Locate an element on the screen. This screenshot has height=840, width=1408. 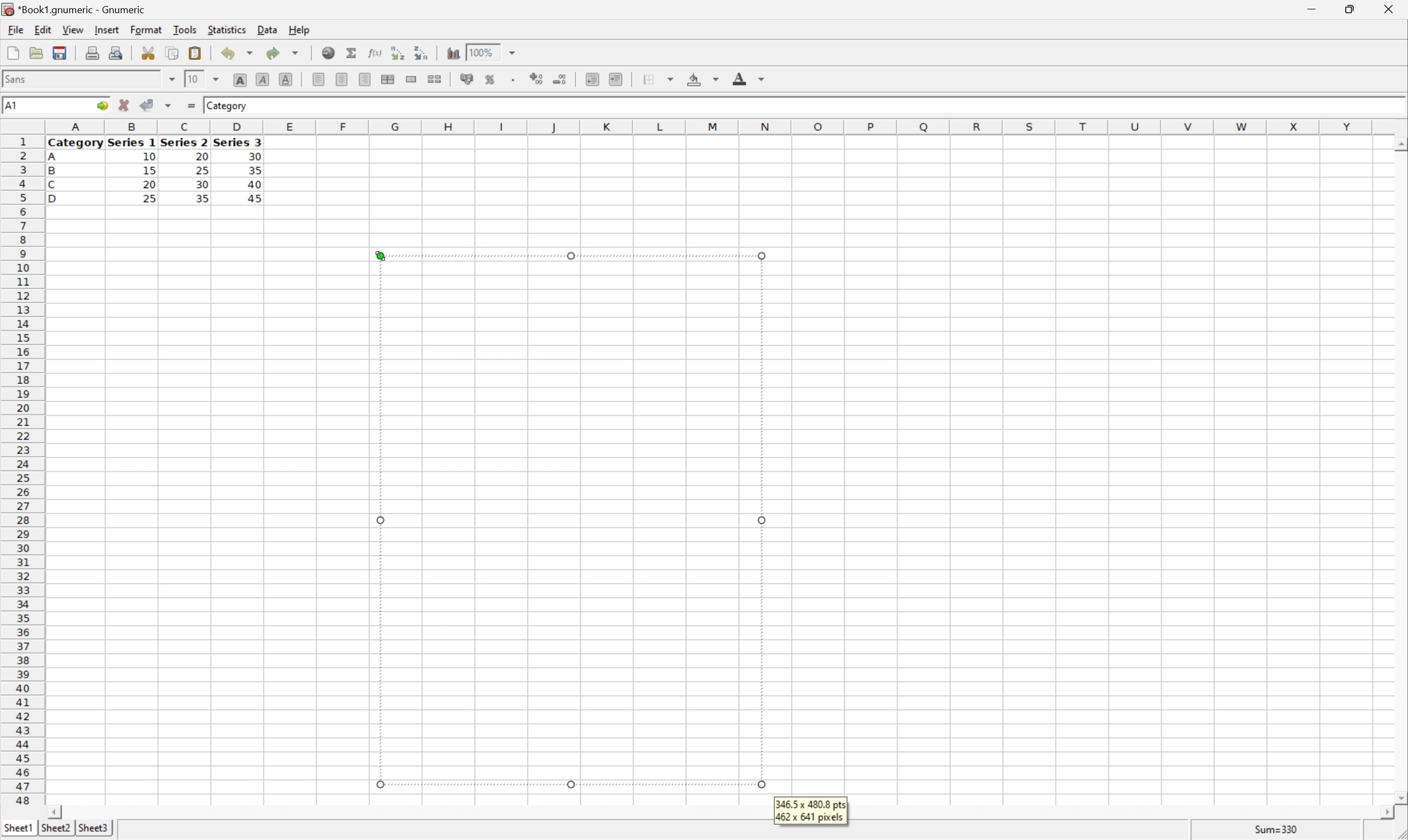
Align Right is located at coordinates (365, 80).